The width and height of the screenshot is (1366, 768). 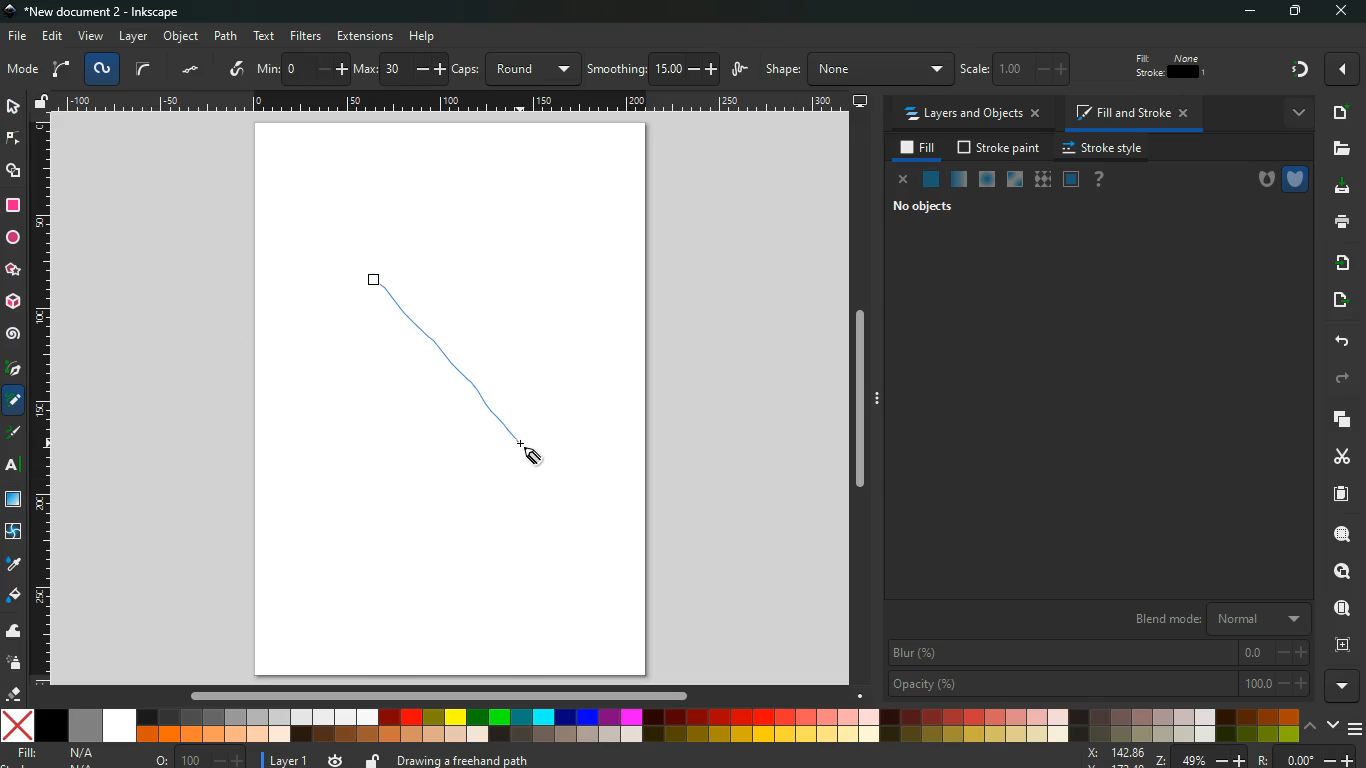 I want to click on message, so click(x=680, y=759).